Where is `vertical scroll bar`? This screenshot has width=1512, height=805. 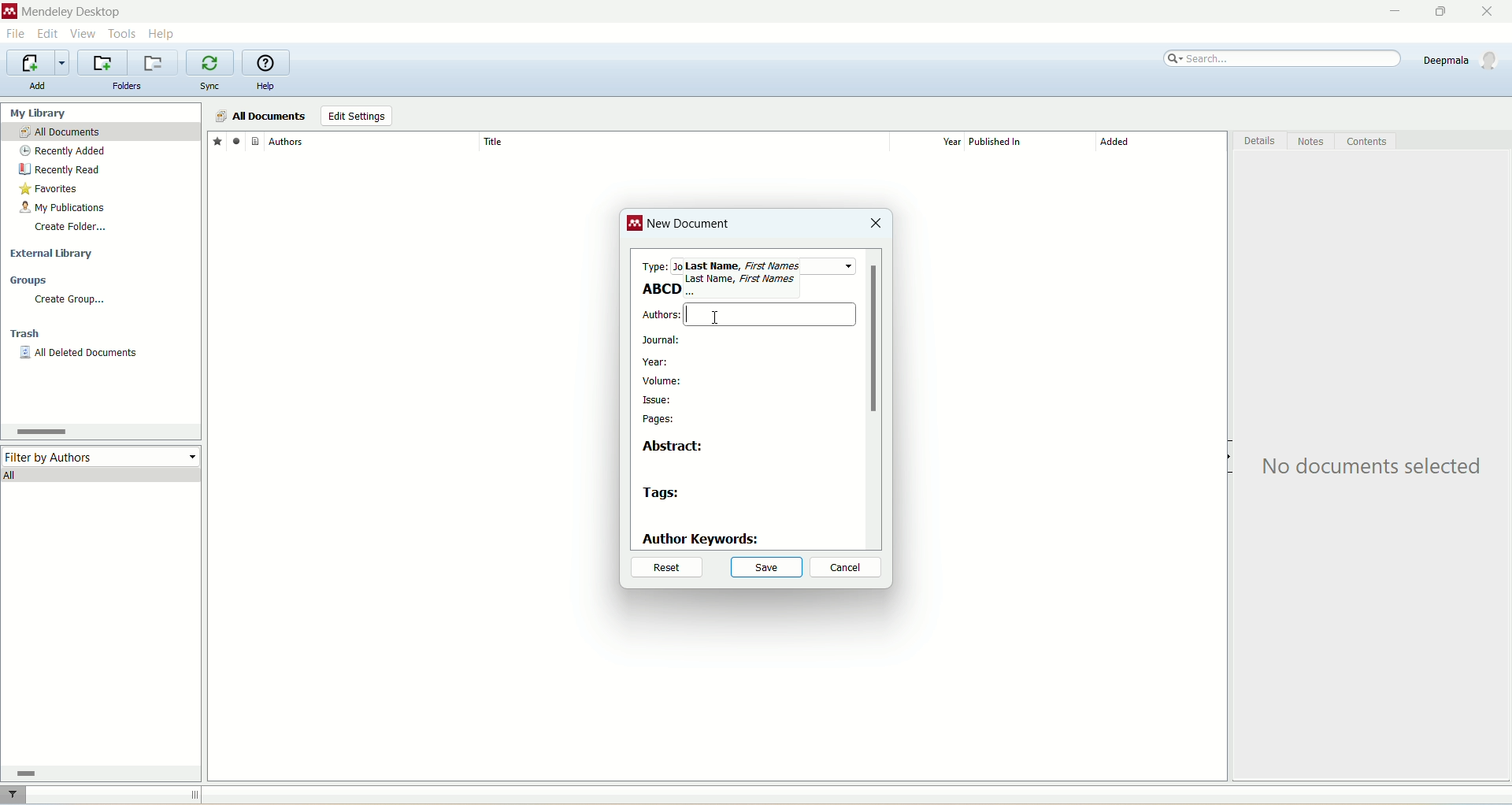 vertical scroll bar is located at coordinates (873, 399).